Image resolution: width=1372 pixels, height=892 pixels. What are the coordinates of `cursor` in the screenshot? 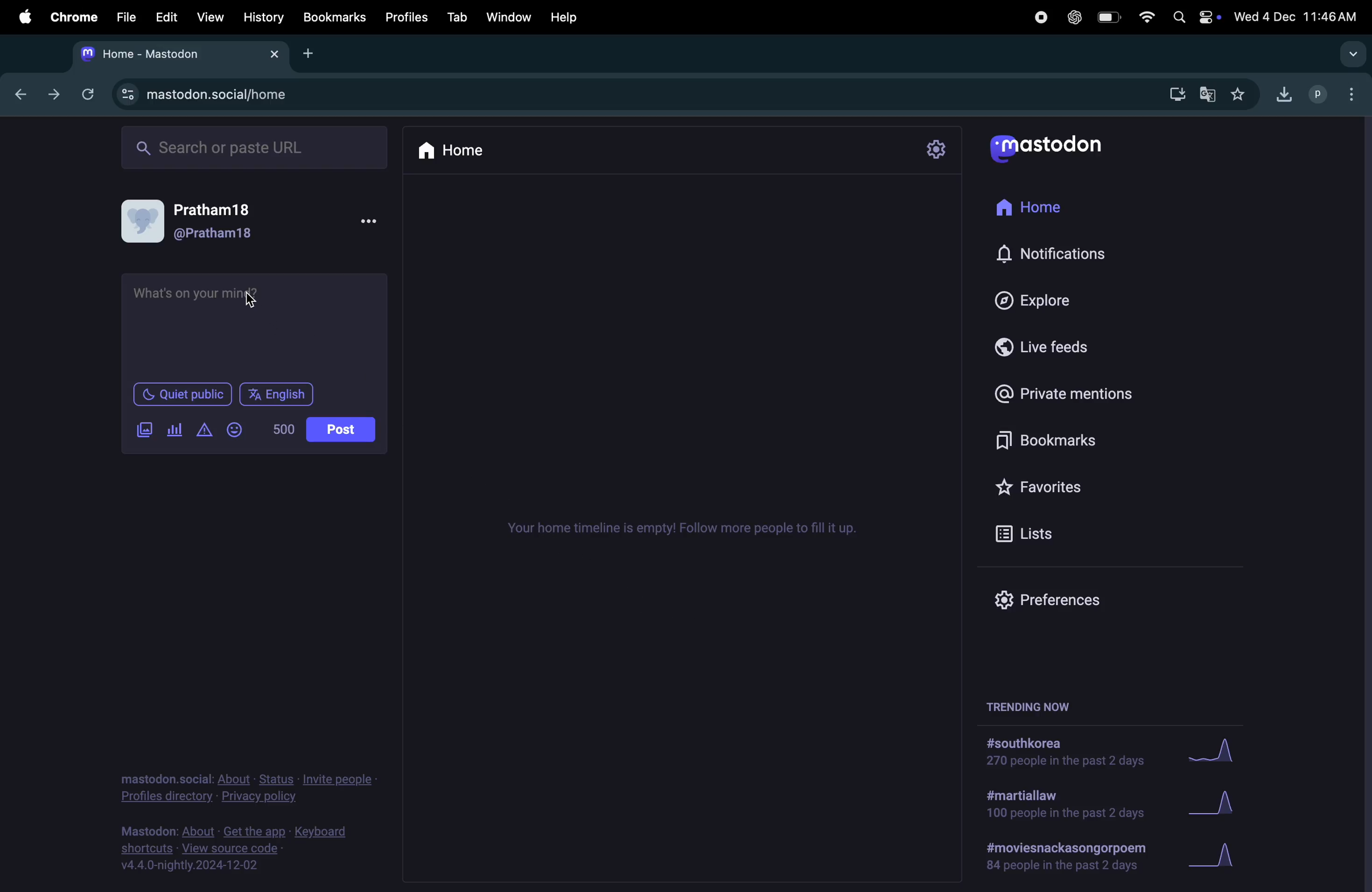 It's located at (257, 304).